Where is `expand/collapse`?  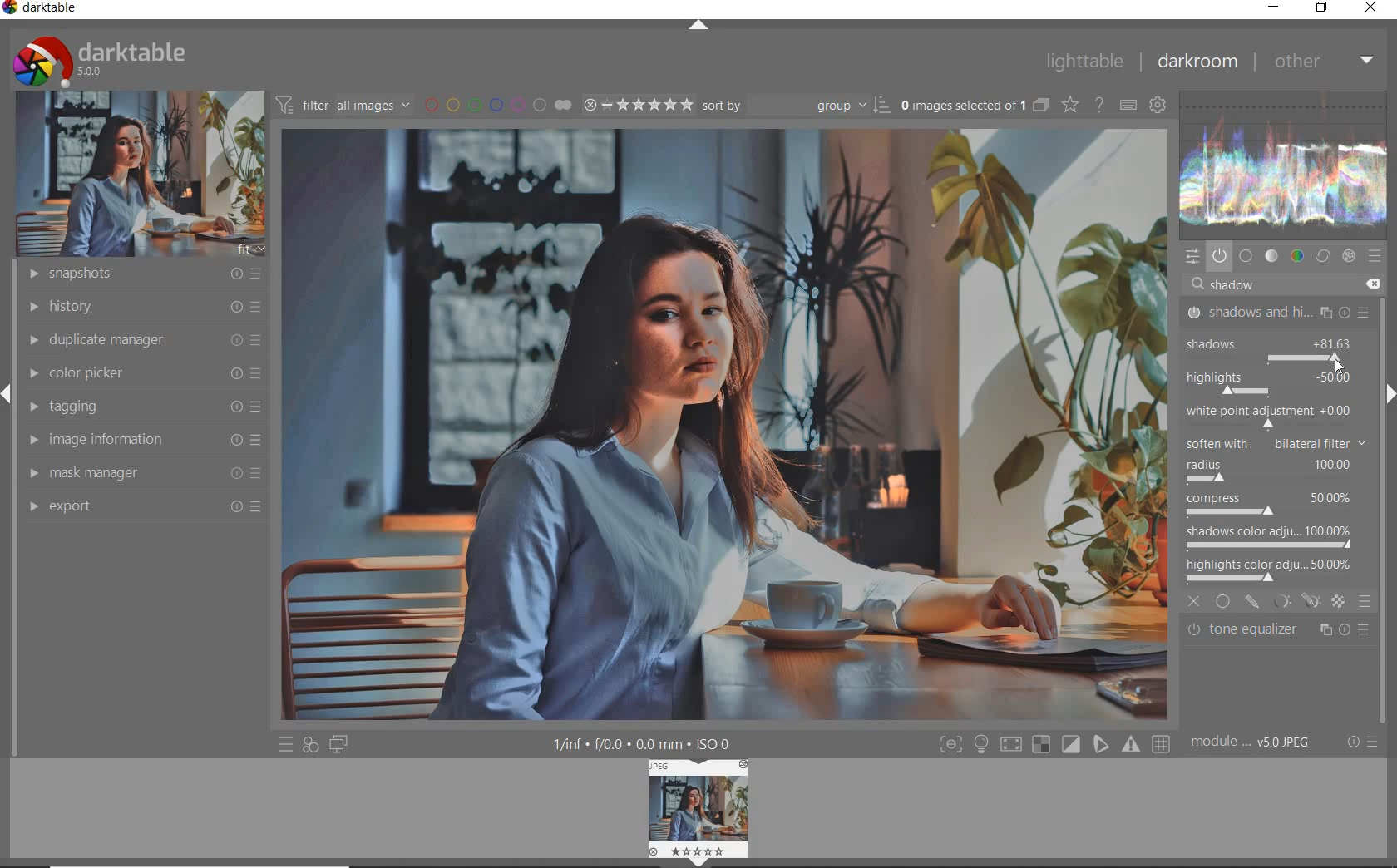 expand/collapse is located at coordinates (698, 27).